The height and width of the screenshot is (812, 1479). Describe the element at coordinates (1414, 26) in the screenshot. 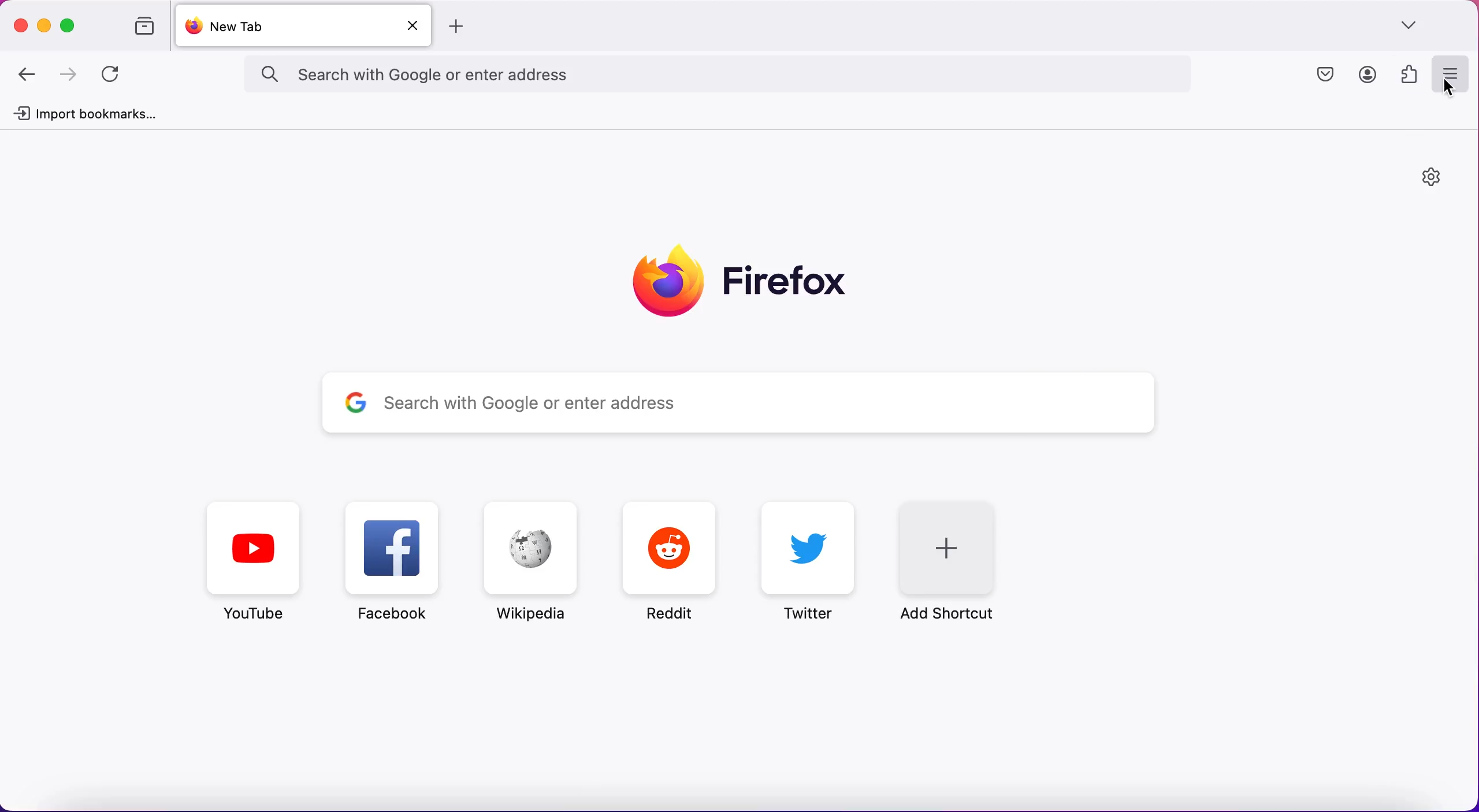

I see `list all tabs` at that location.